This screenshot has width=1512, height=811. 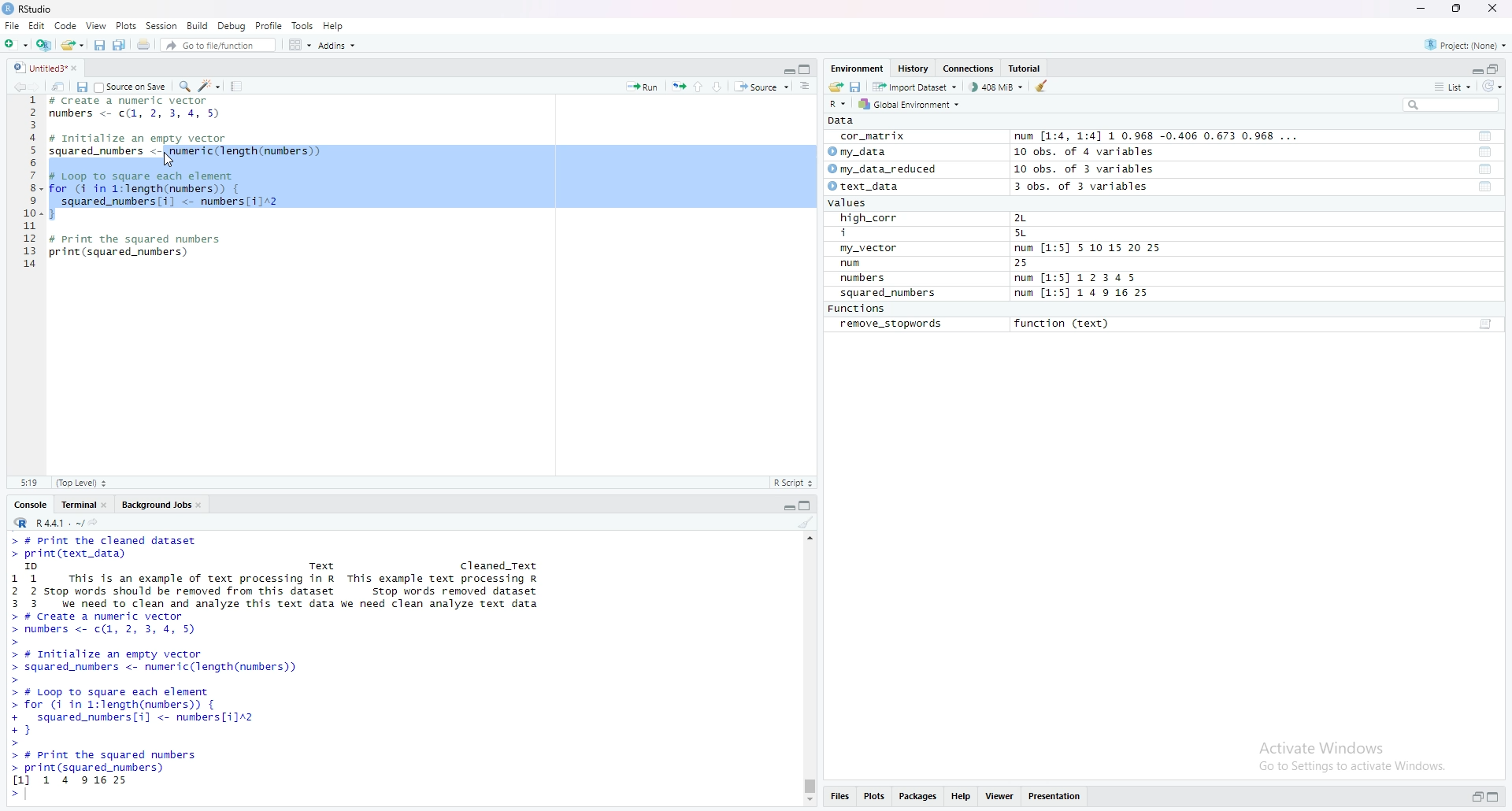 I want to click on Functions, so click(x=859, y=309).